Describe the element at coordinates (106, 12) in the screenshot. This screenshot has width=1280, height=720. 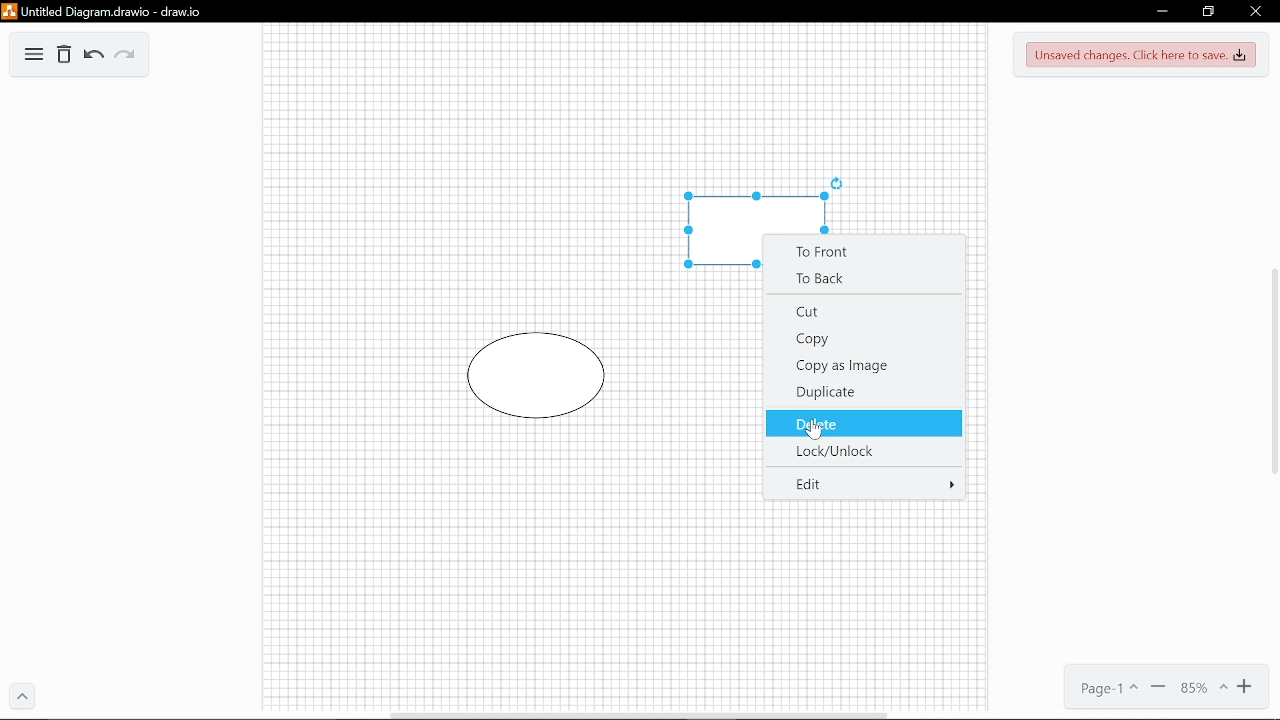
I see `Untitled Diagram.drawio-draw.io` at that location.